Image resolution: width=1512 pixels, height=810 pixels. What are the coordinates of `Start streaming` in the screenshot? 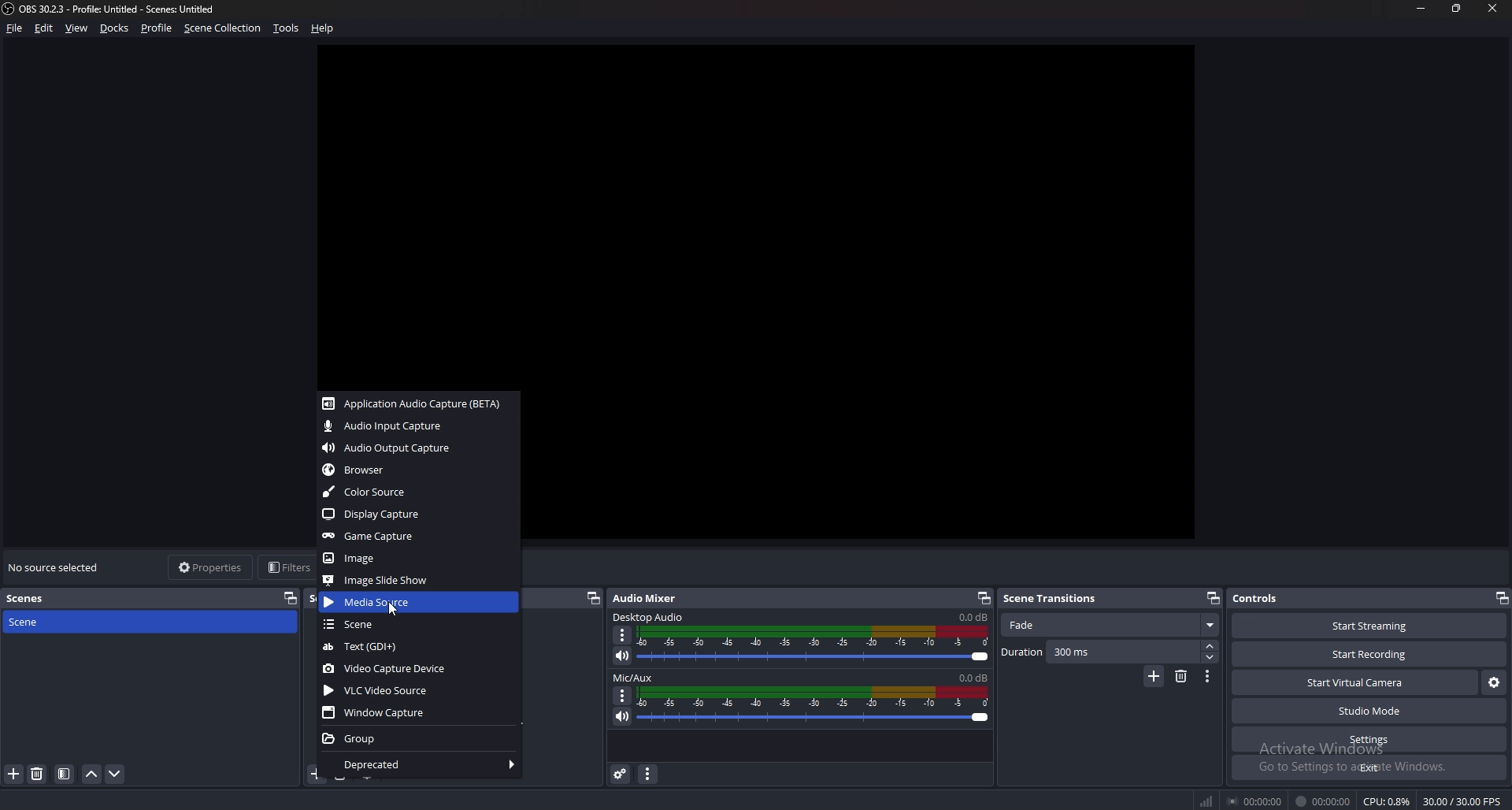 It's located at (1372, 626).